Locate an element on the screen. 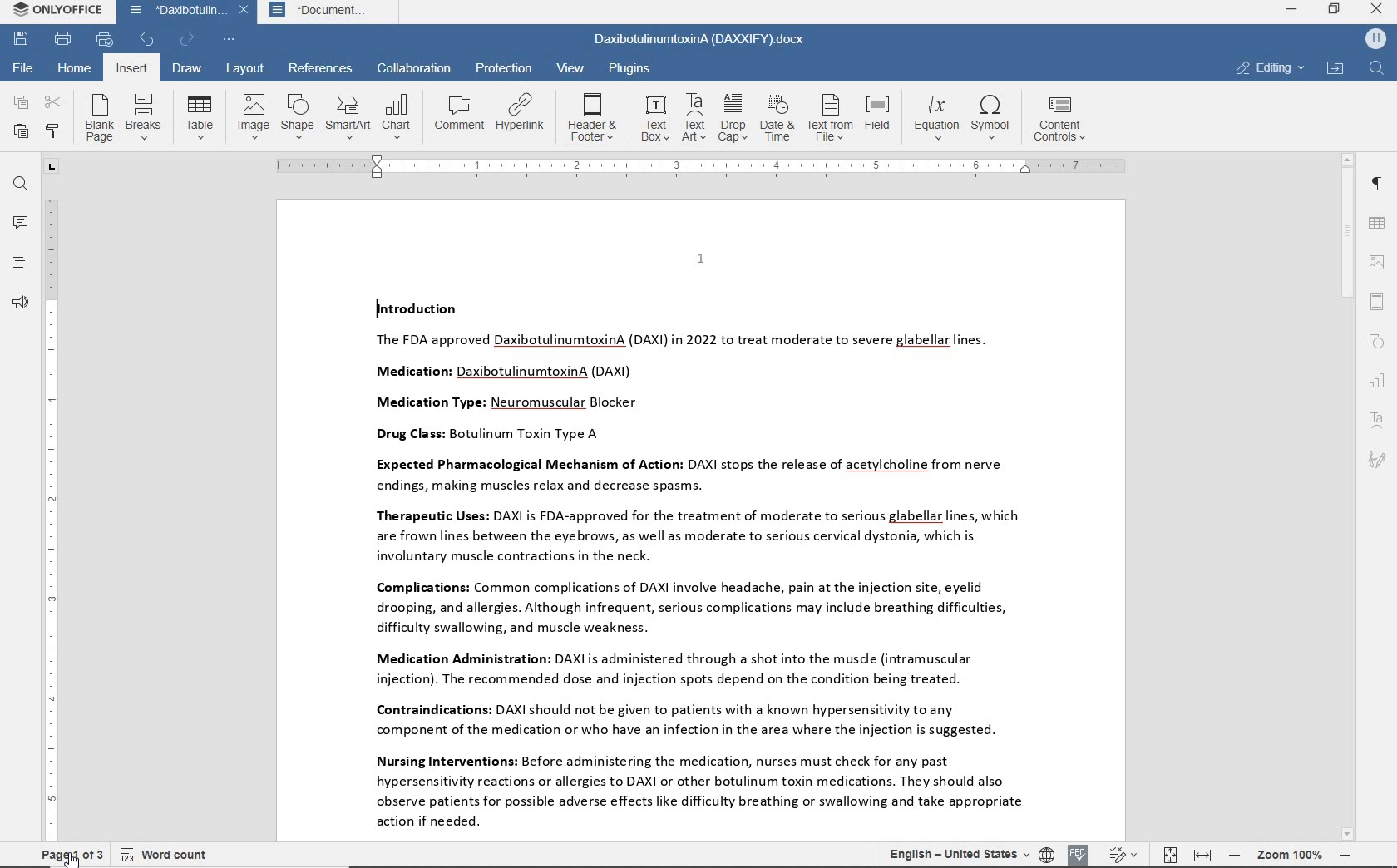 Image resolution: width=1397 pixels, height=868 pixels. text art is located at coordinates (694, 117).